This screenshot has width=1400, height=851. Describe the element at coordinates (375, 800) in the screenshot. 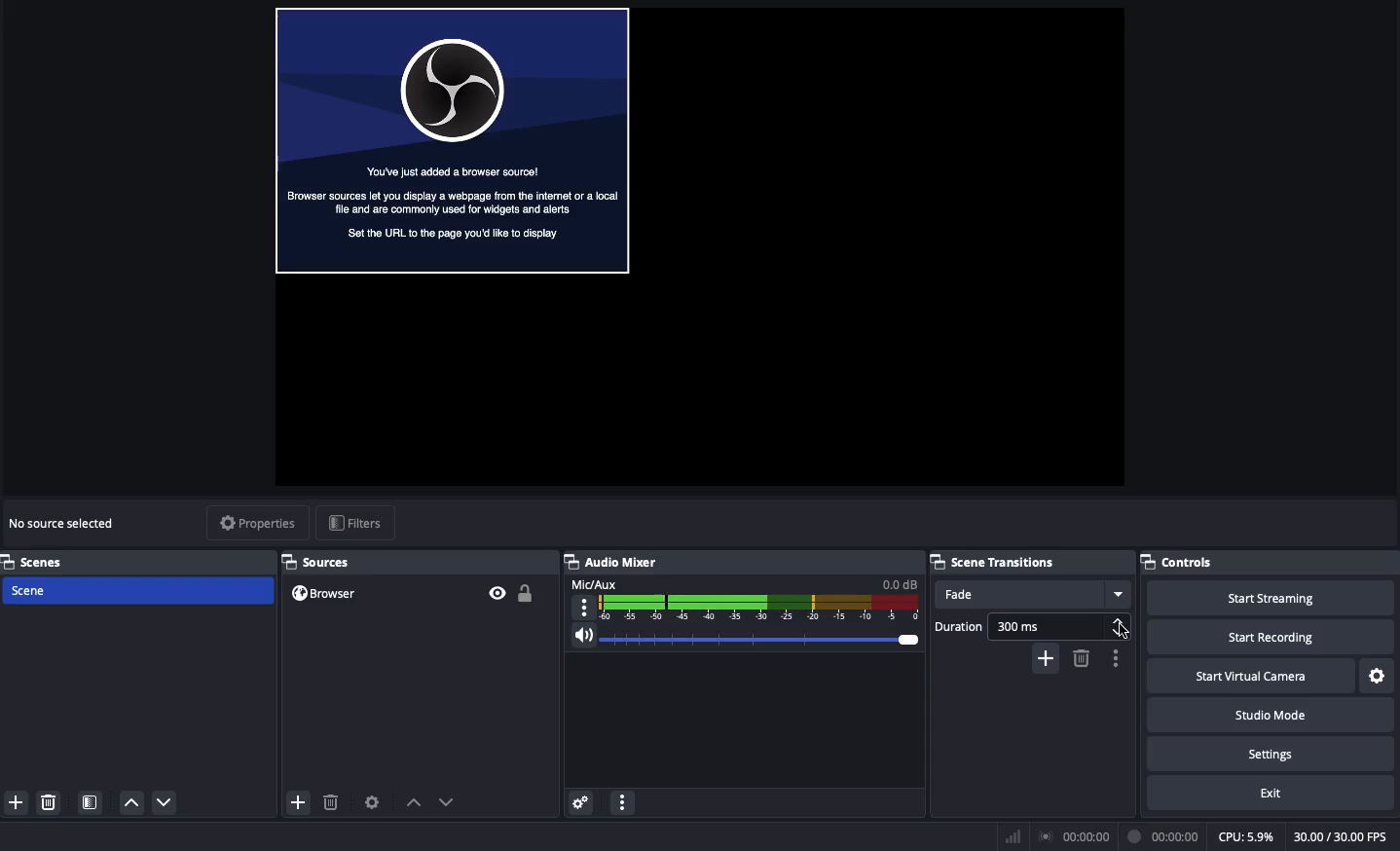

I see `Sources preferences` at that location.